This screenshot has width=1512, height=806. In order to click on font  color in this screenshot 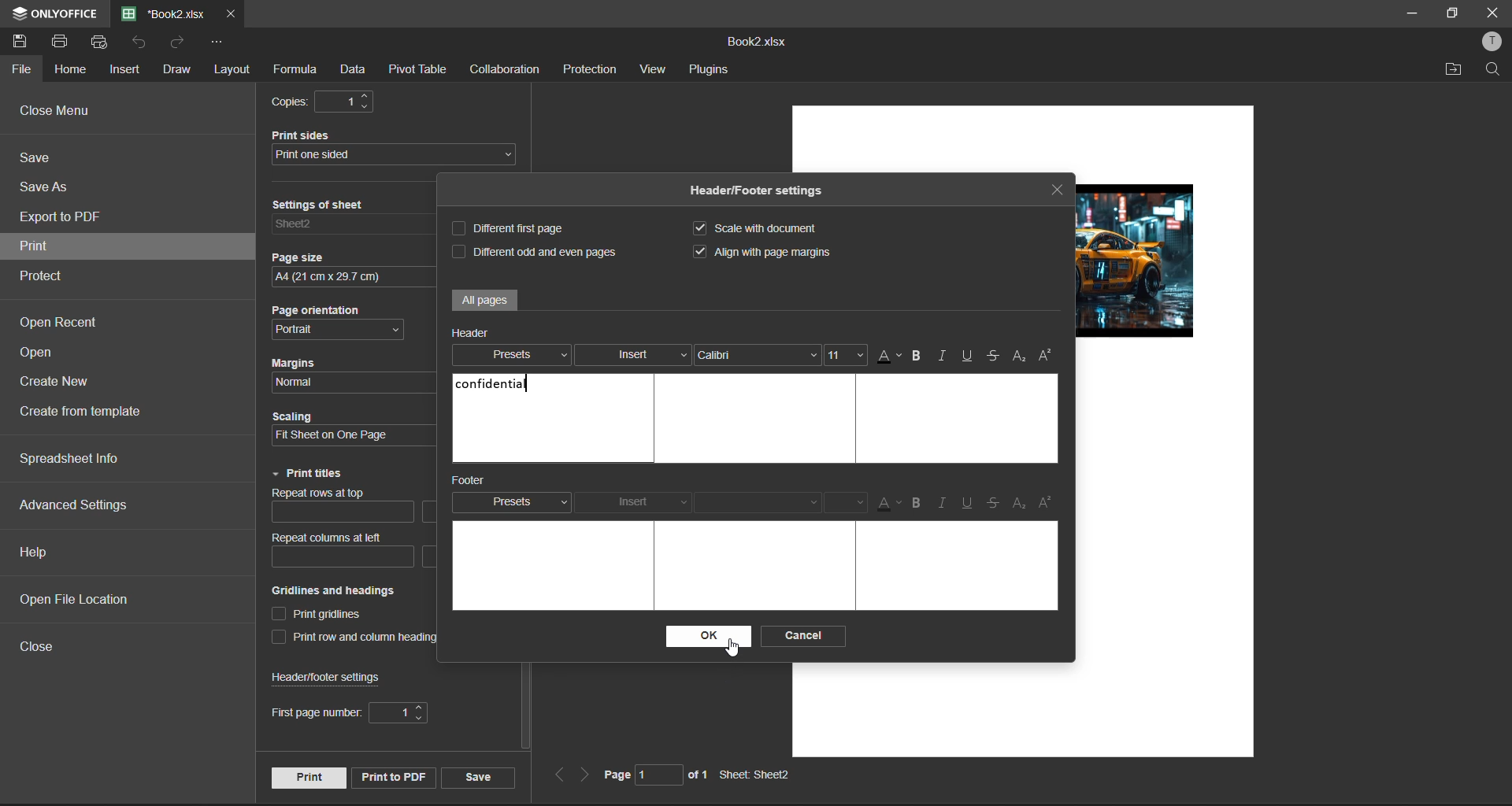, I will do `click(888, 357)`.